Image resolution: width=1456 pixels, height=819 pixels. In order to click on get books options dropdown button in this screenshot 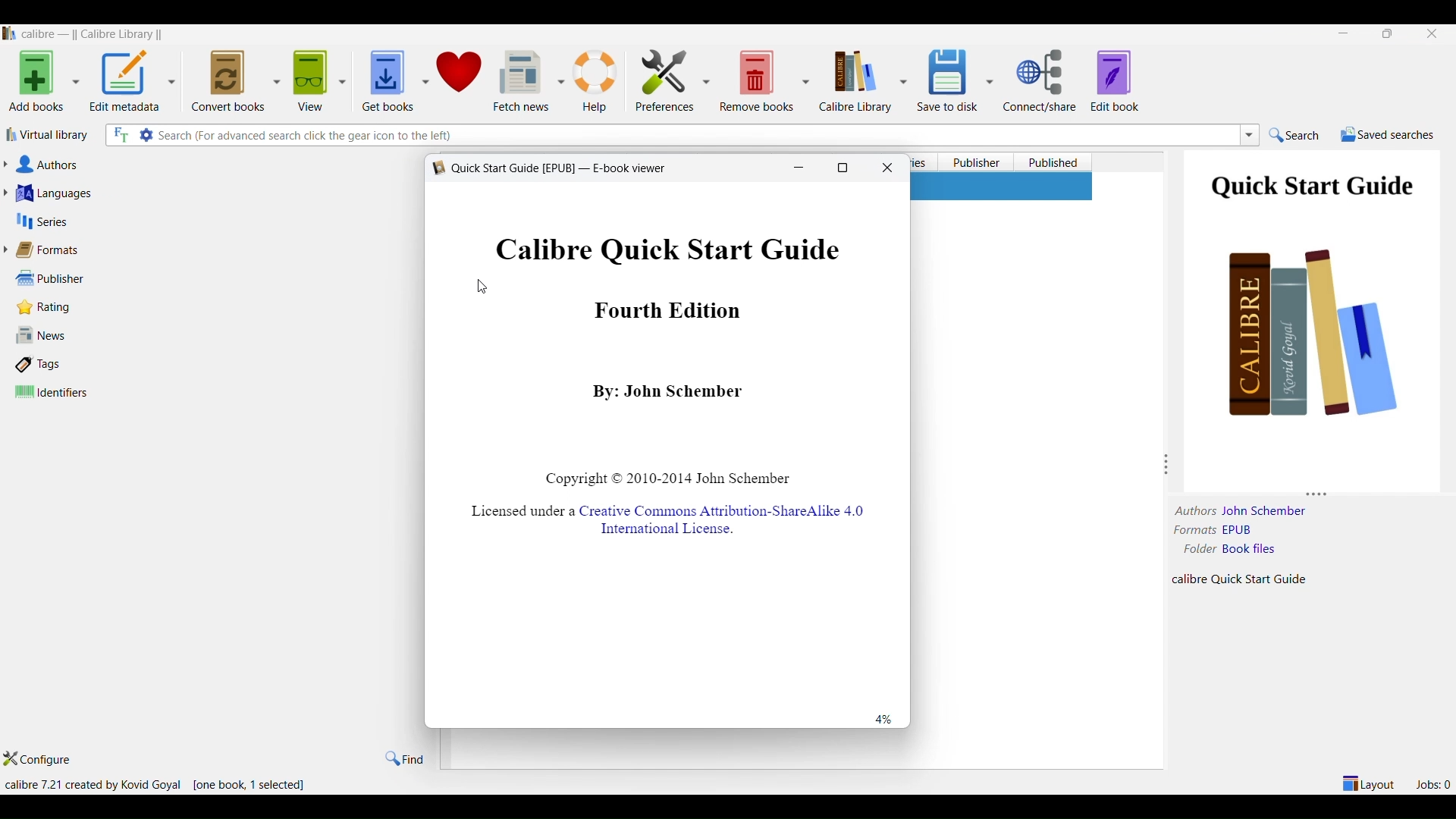, I will do `click(425, 80)`.